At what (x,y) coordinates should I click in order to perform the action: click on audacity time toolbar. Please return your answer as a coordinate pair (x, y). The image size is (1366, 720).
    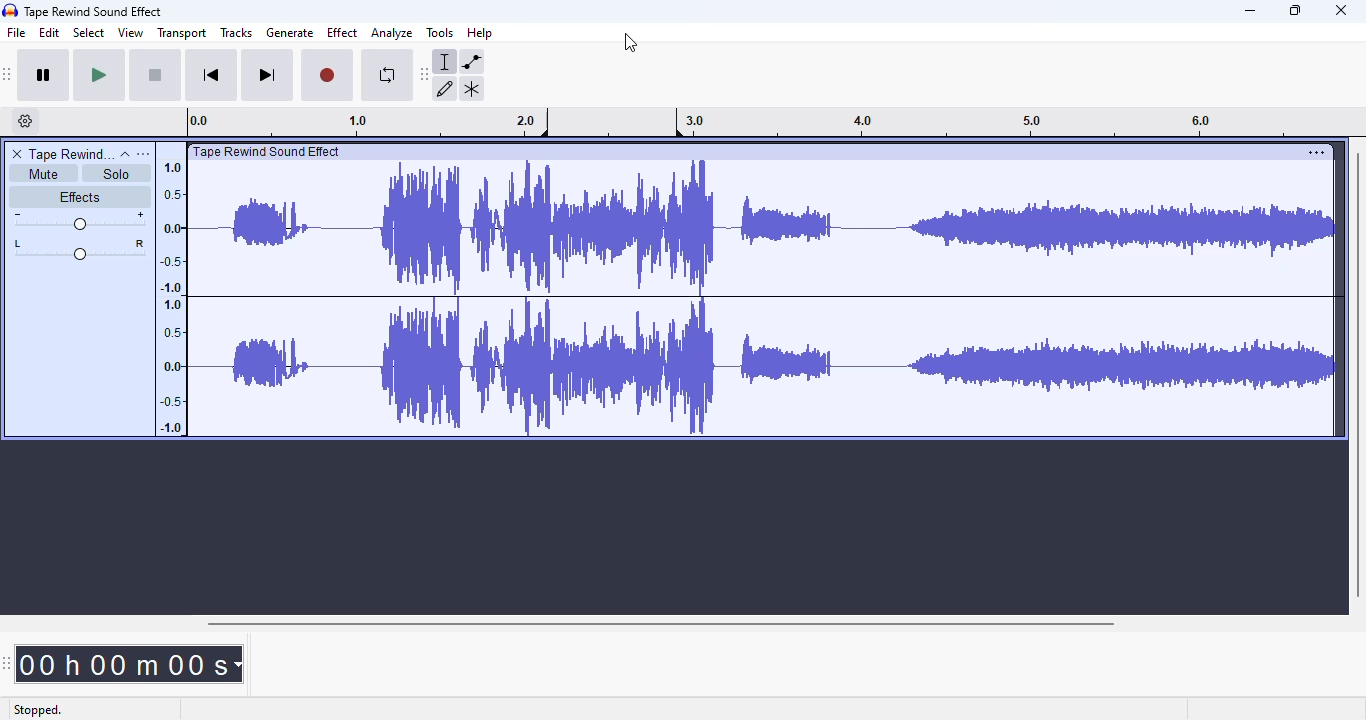
    Looking at the image, I should click on (7, 662).